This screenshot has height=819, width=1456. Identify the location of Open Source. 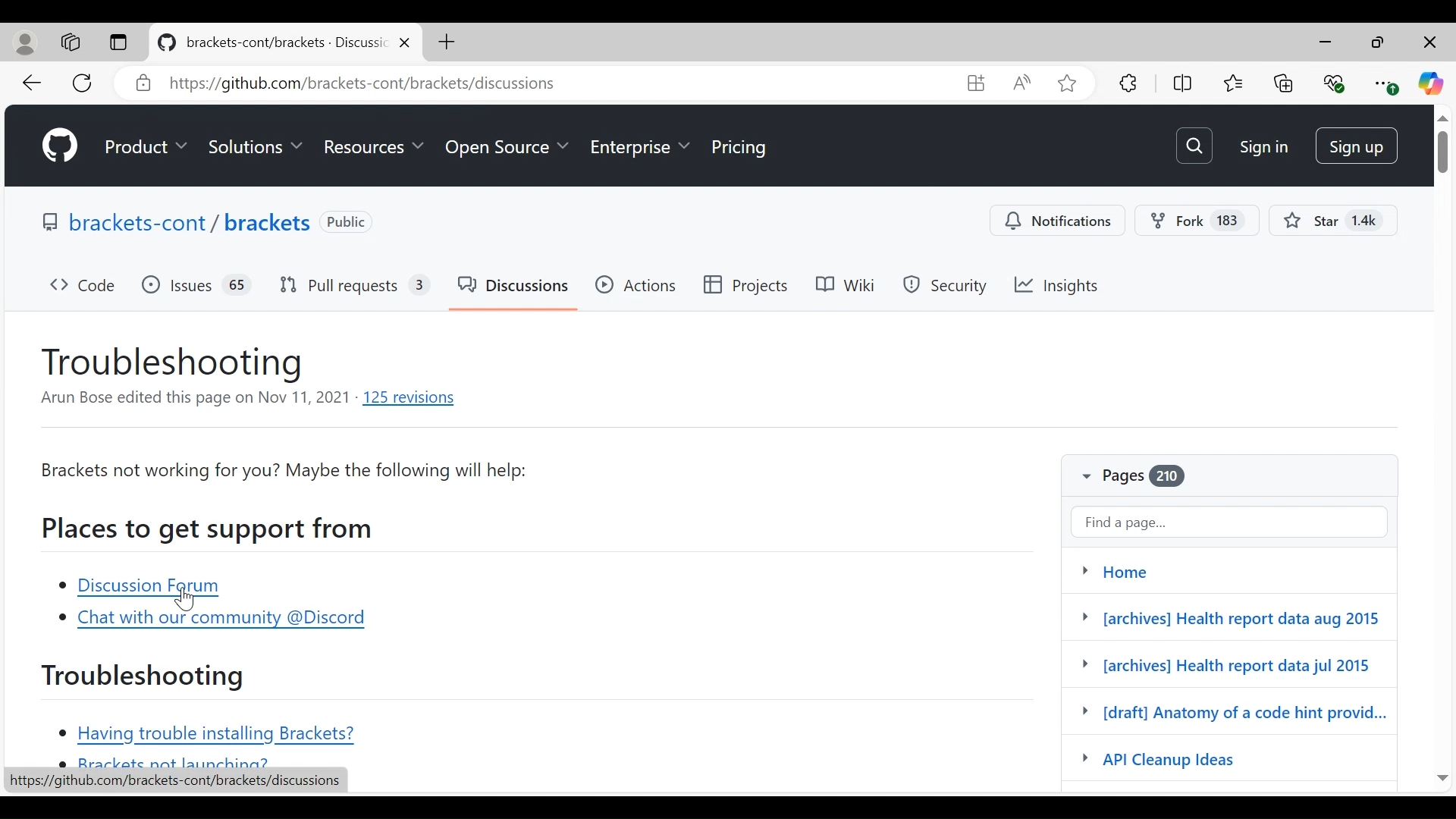
(506, 151).